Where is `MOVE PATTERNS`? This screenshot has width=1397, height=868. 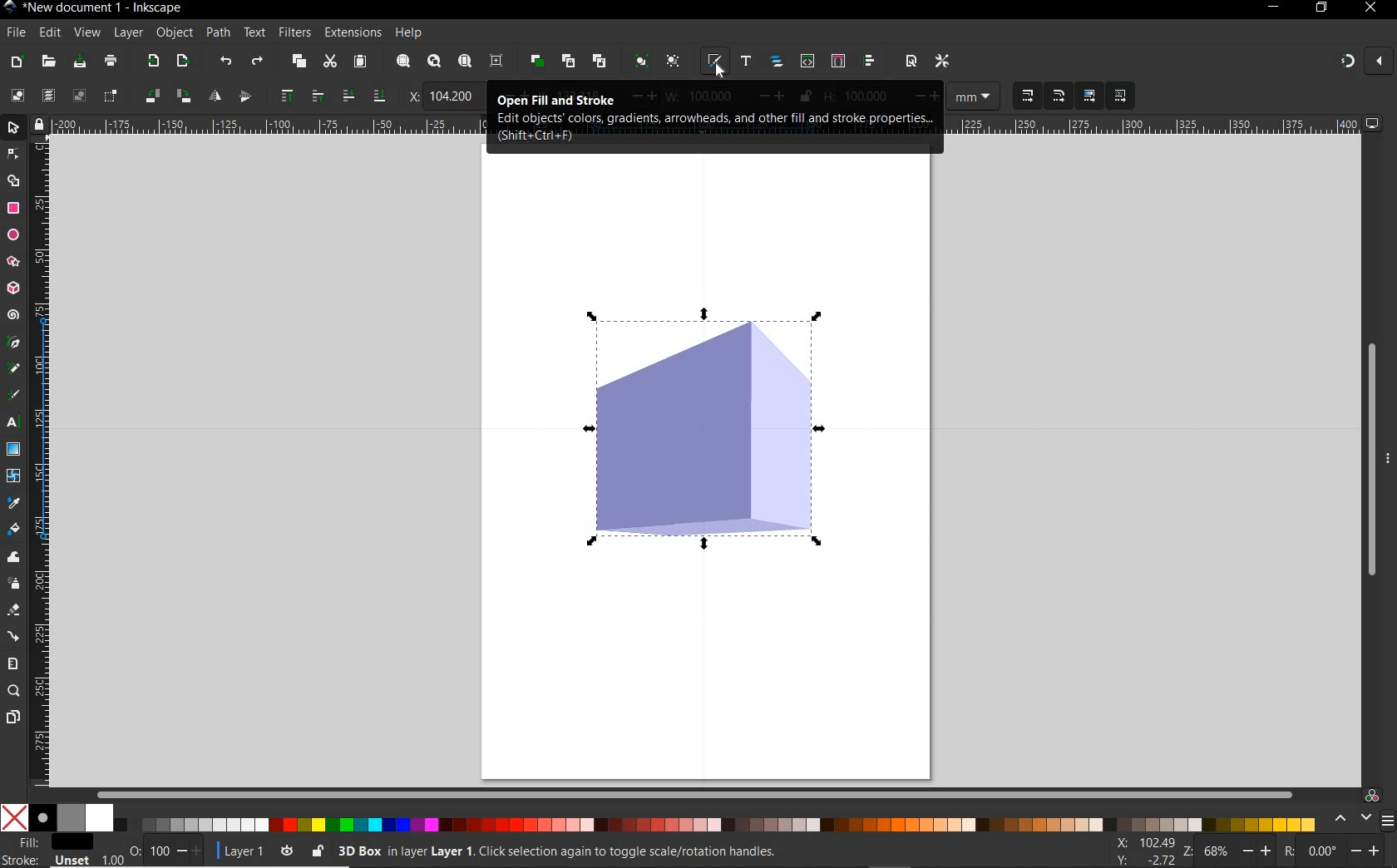
MOVE PATTERNS is located at coordinates (1121, 96).